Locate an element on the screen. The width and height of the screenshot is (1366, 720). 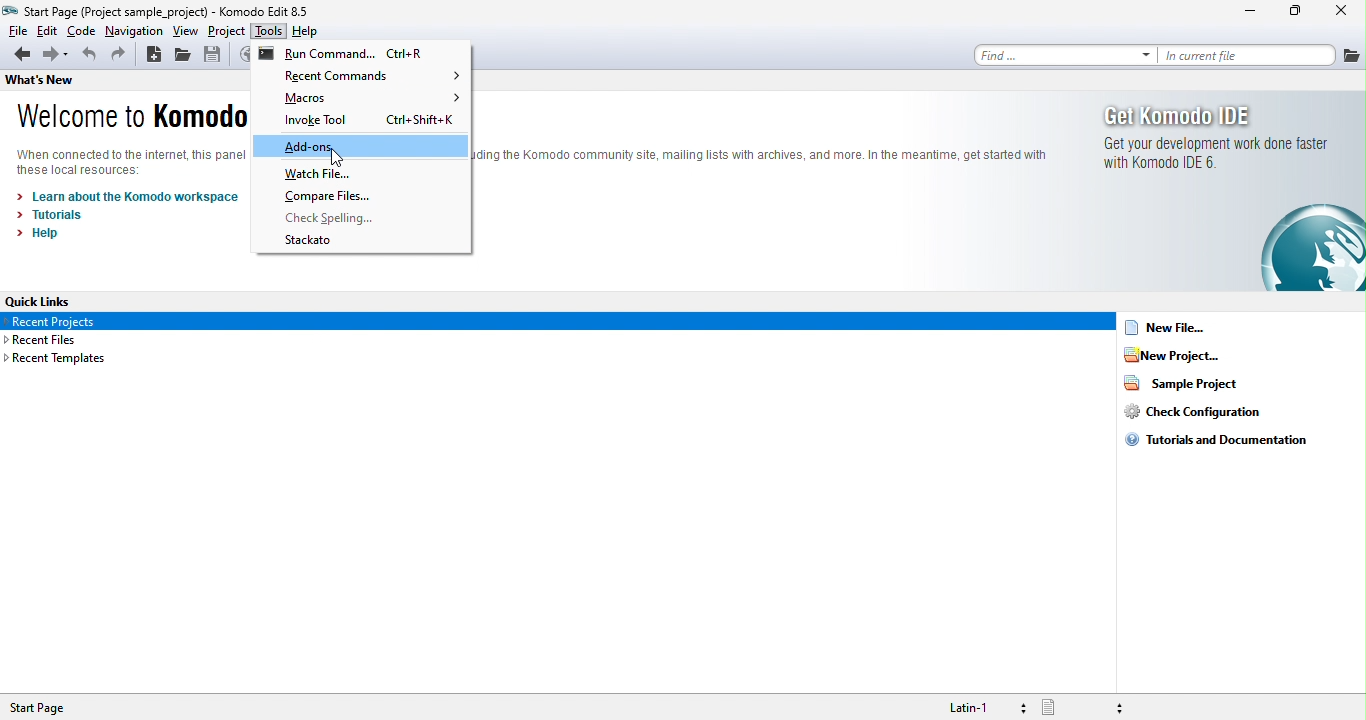
tools is located at coordinates (271, 32).